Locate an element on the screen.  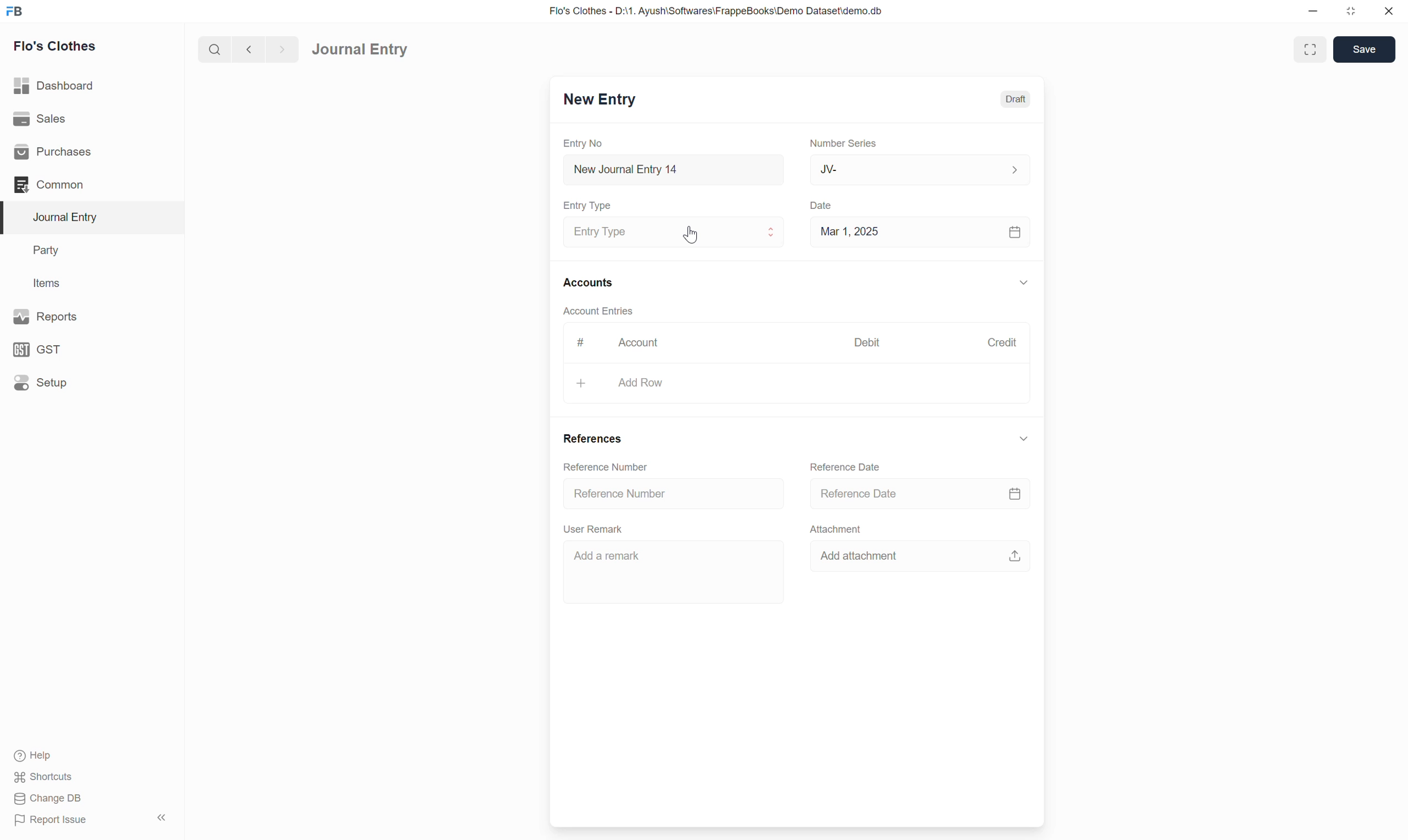
Sales is located at coordinates (39, 117).